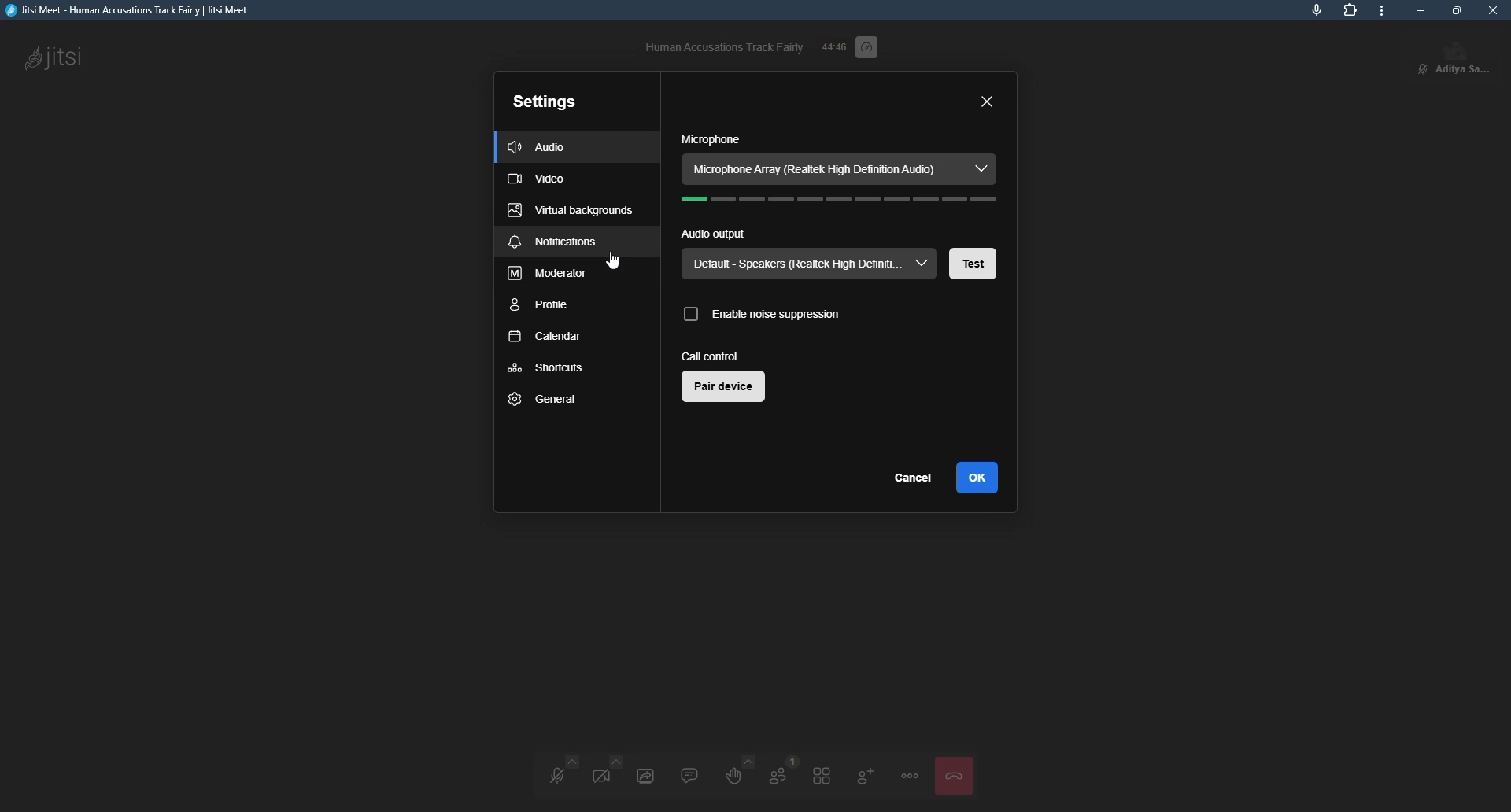  Describe the element at coordinates (1418, 68) in the screenshot. I see `unmute` at that location.